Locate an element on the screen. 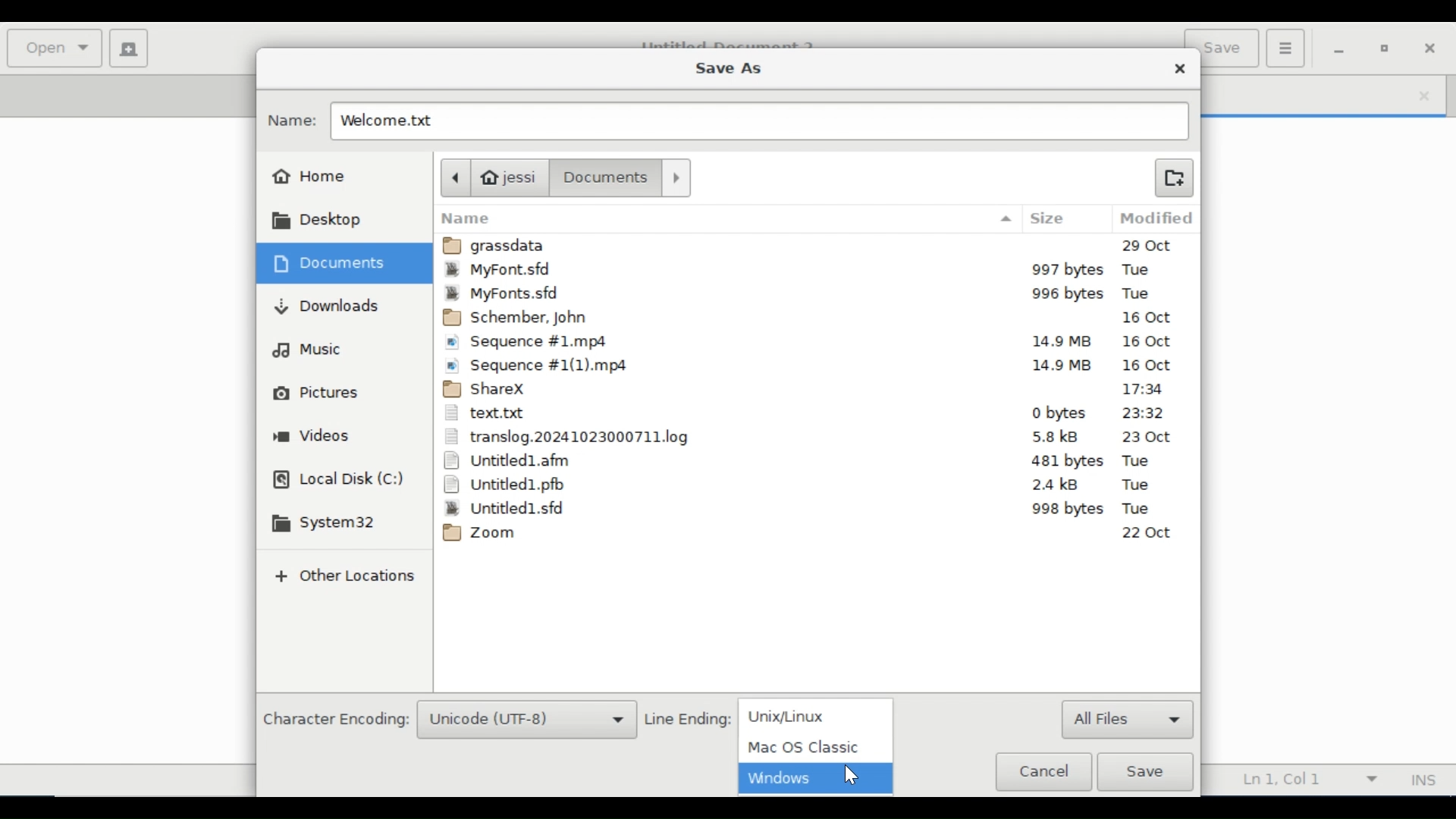 The width and height of the screenshot is (1456, 819). save is located at coordinates (1230, 50).